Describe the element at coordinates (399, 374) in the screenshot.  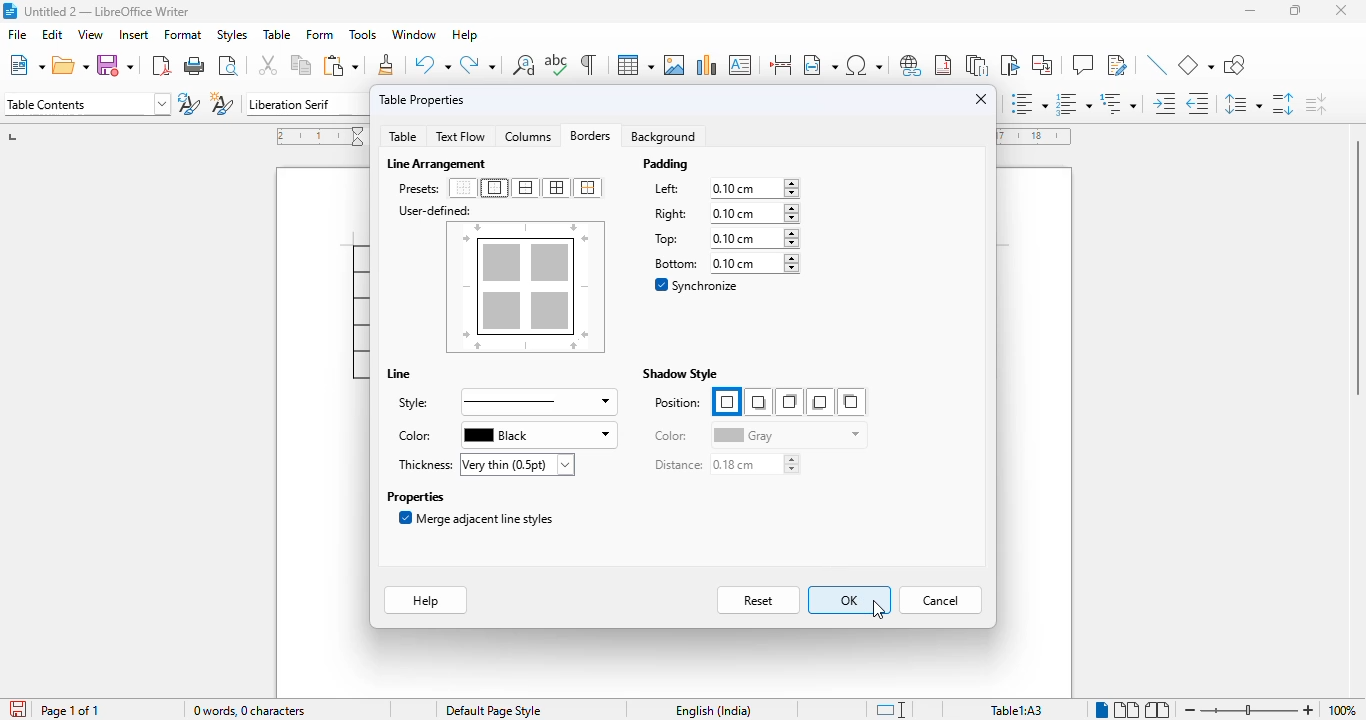
I see `line` at that location.